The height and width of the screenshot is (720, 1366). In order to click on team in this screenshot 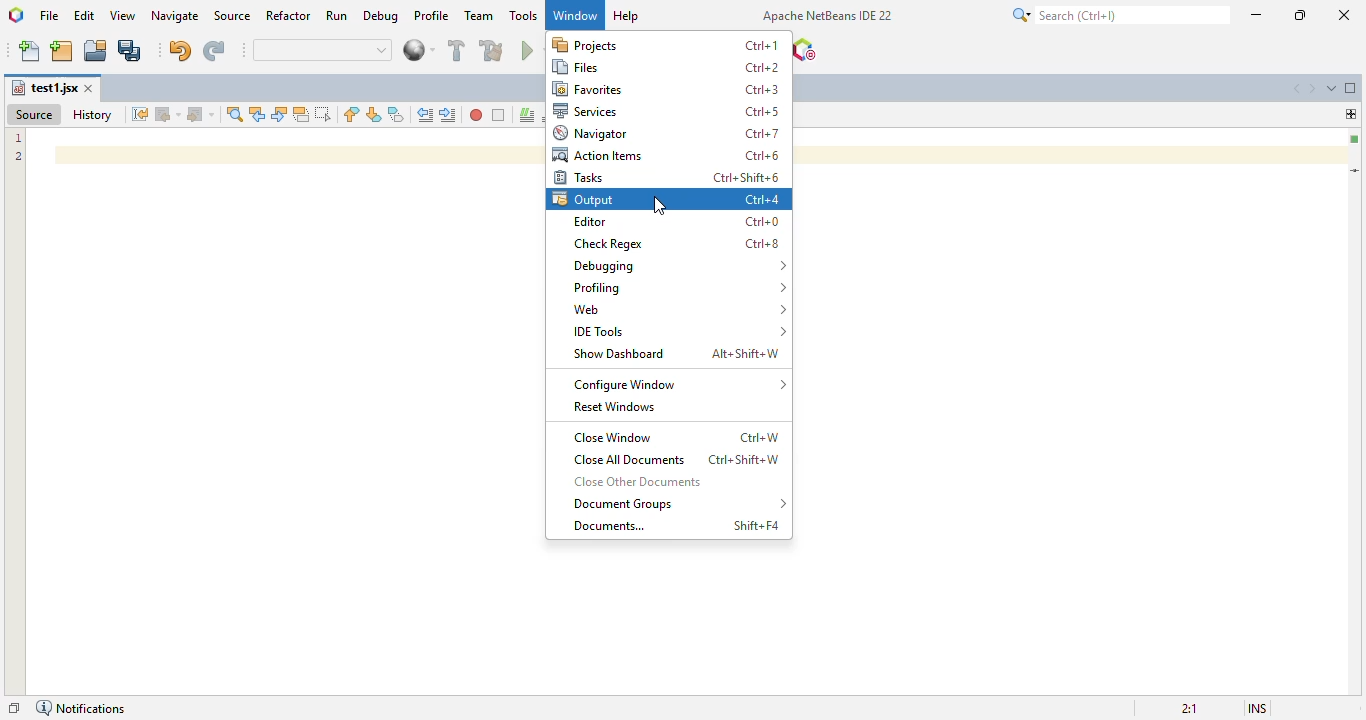, I will do `click(480, 15)`.